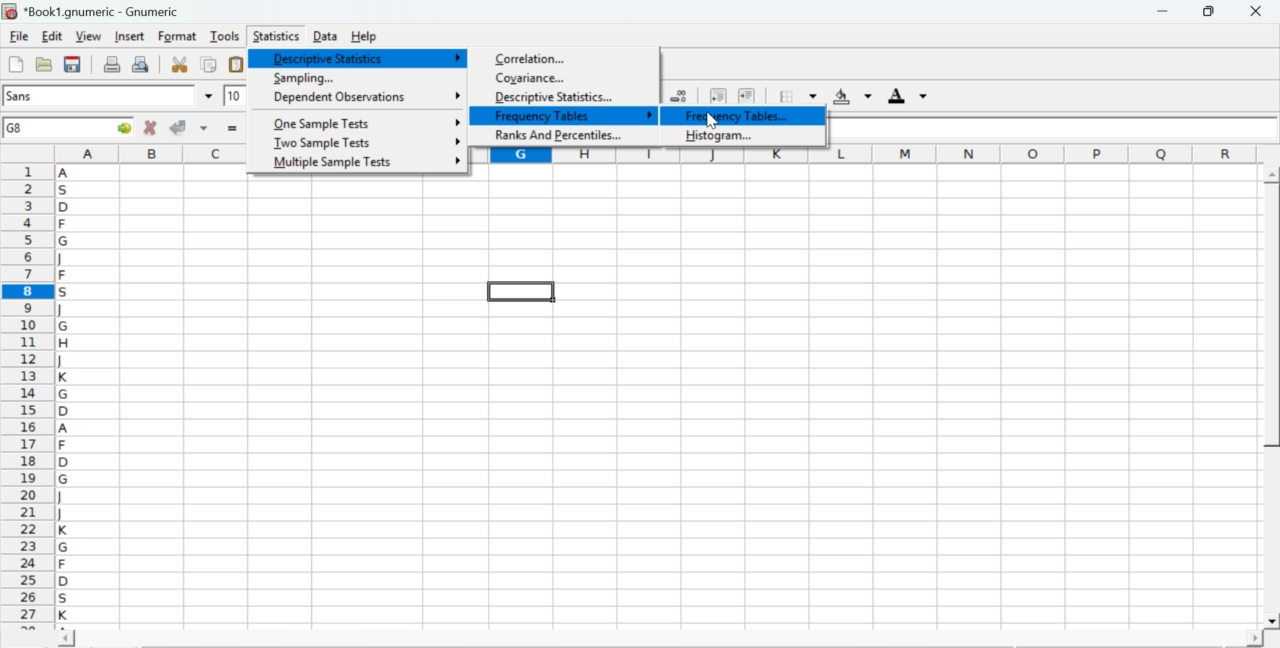  Describe the element at coordinates (65, 393) in the screenshot. I see `alphabets` at that location.